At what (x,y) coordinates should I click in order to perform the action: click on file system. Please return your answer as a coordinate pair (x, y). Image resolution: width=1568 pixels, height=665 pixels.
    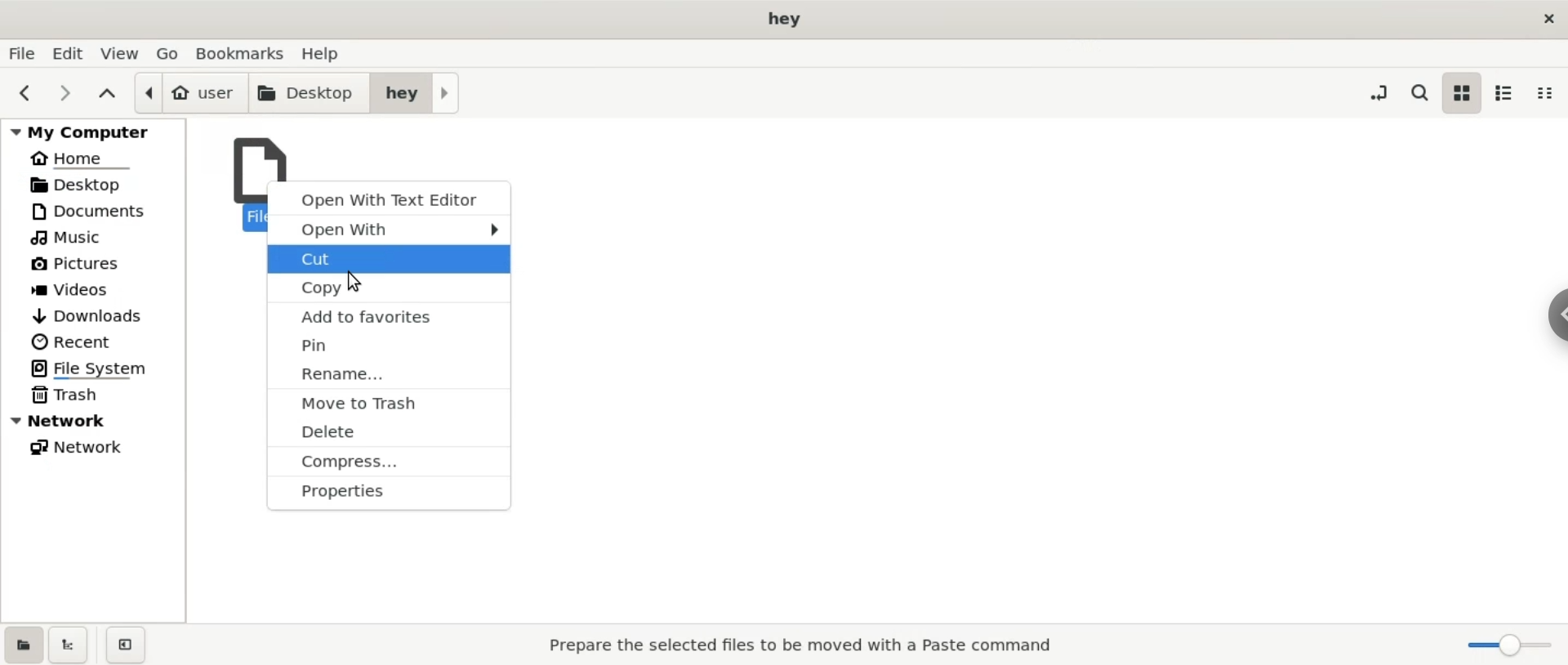
    Looking at the image, I should click on (98, 369).